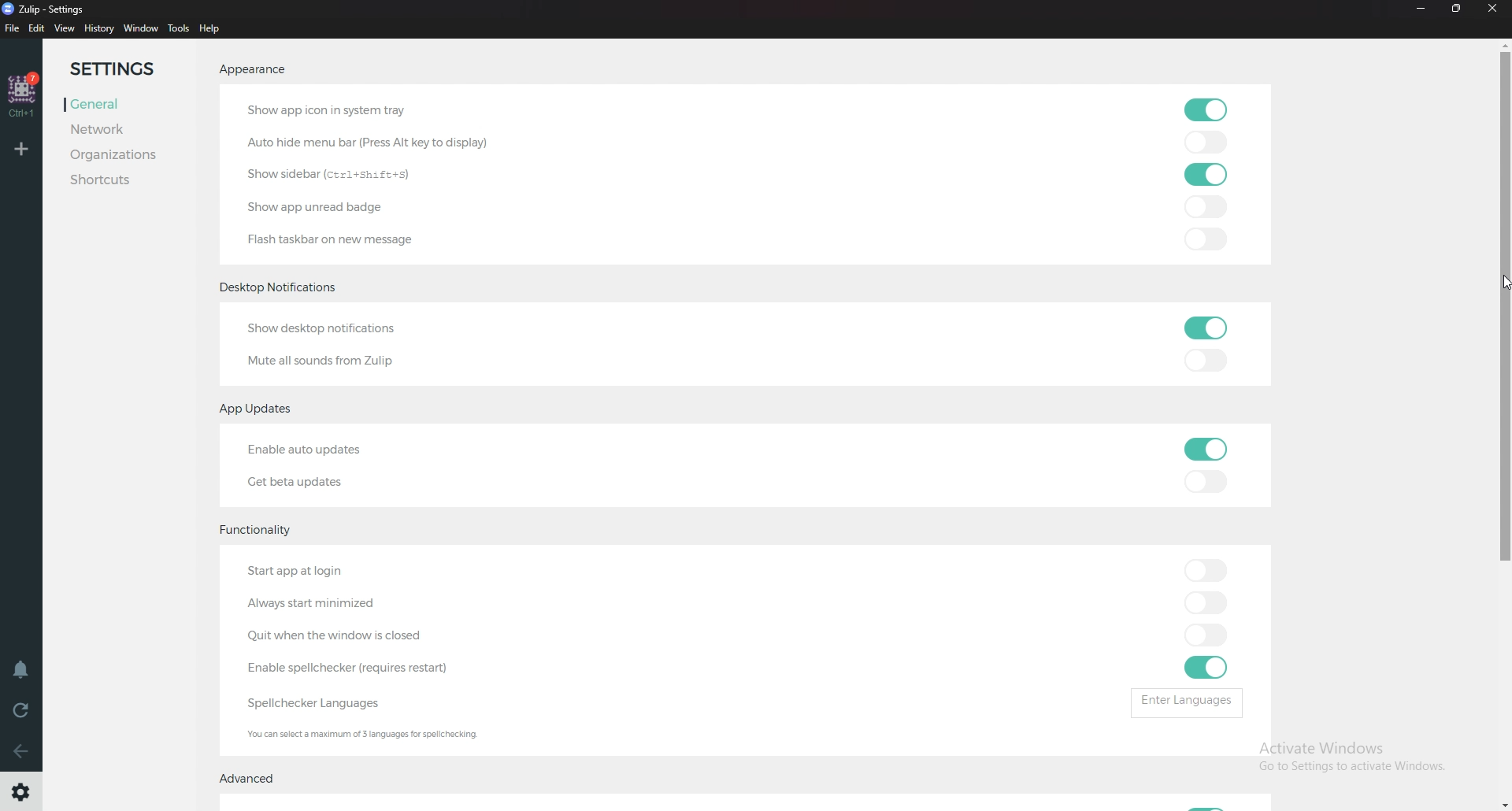 The height and width of the screenshot is (811, 1512). I want to click on Reload, so click(22, 713).